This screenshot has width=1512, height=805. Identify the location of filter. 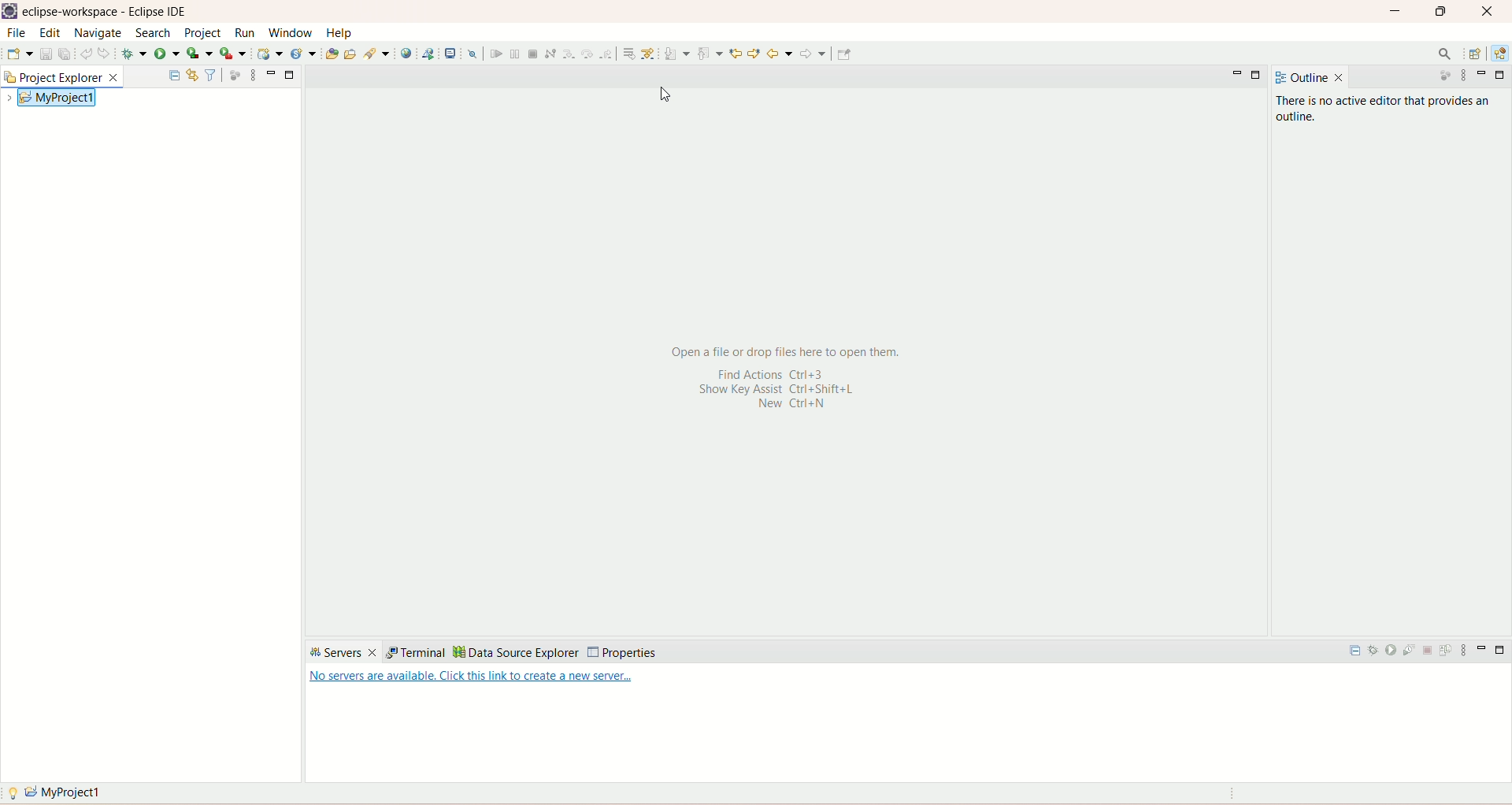
(209, 75).